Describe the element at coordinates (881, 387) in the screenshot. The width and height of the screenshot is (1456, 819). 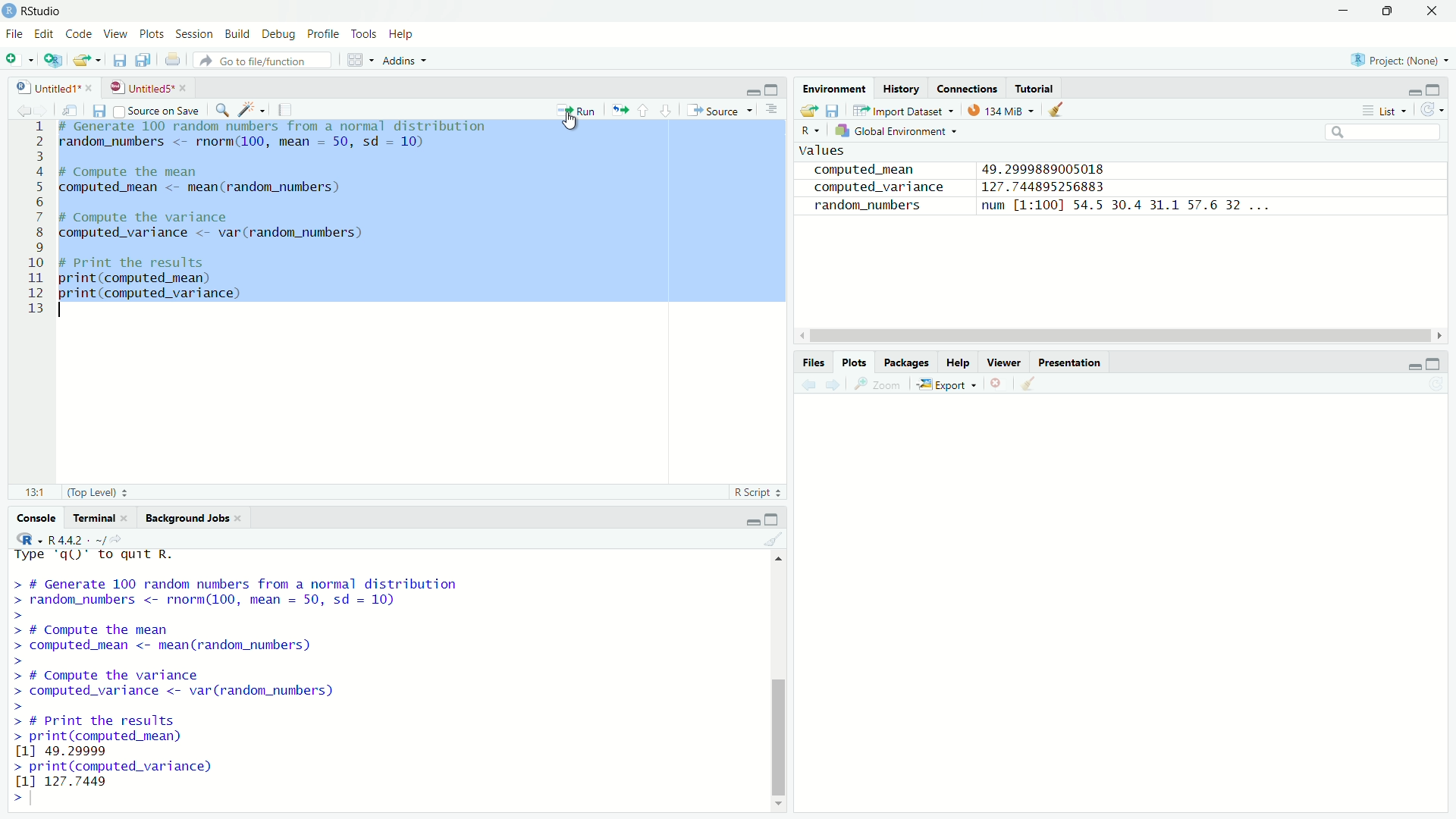
I see `view a larger version of the plot in new window` at that location.